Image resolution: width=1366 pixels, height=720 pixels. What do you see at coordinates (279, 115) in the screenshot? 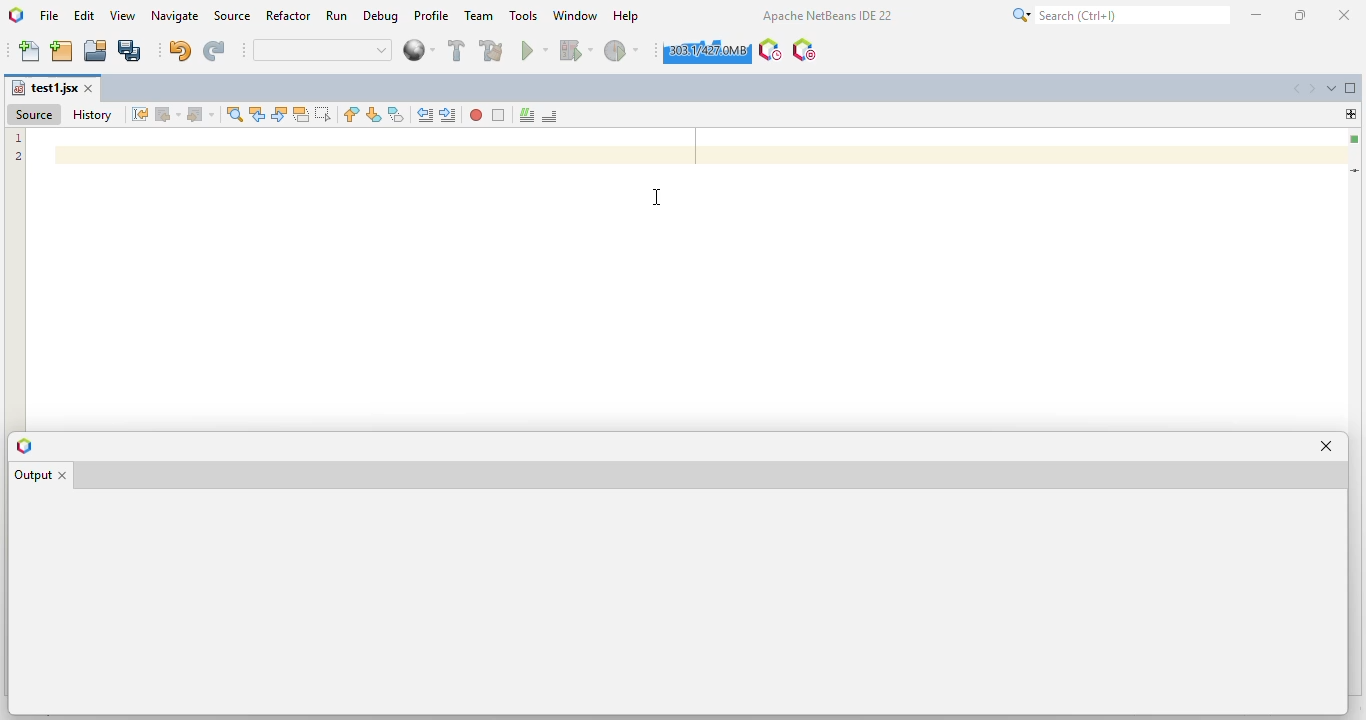
I see `find next occurrence` at bounding box center [279, 115].